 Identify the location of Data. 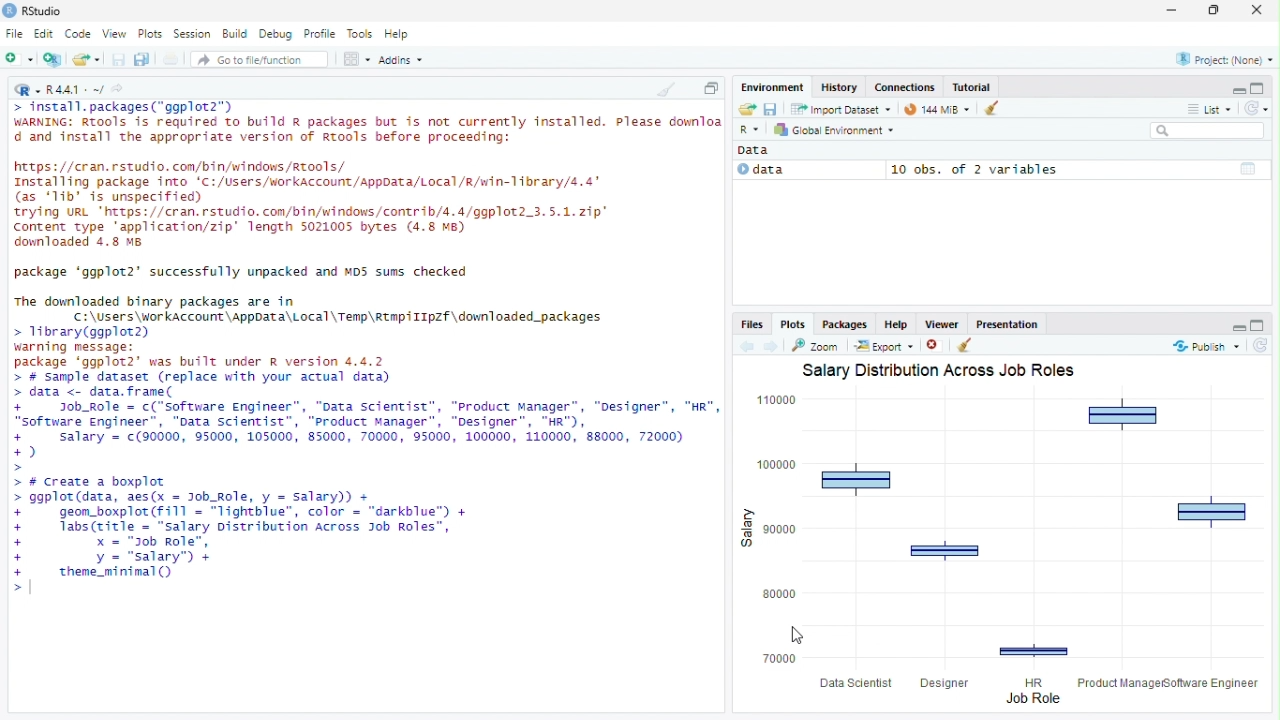
(758, 151).